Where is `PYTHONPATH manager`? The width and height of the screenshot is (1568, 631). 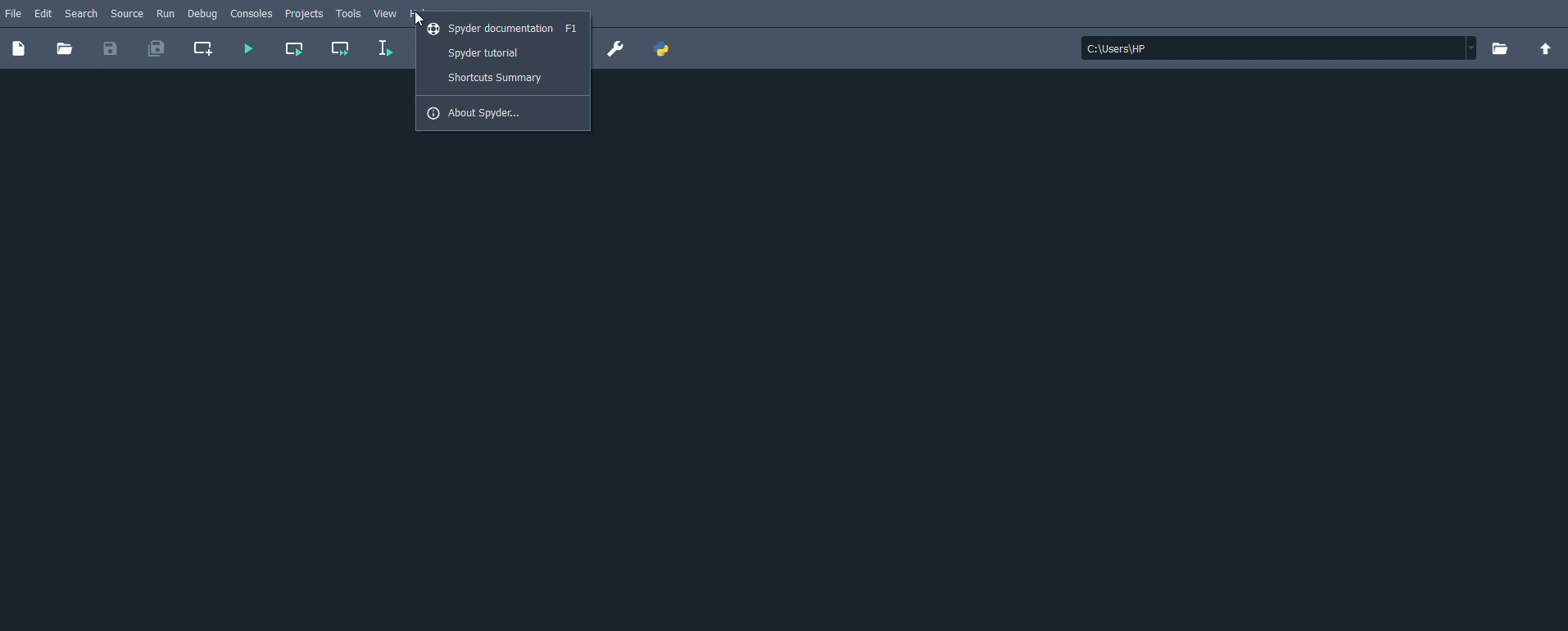
PYTHONPATH manager is located at coordinates (665, 51).